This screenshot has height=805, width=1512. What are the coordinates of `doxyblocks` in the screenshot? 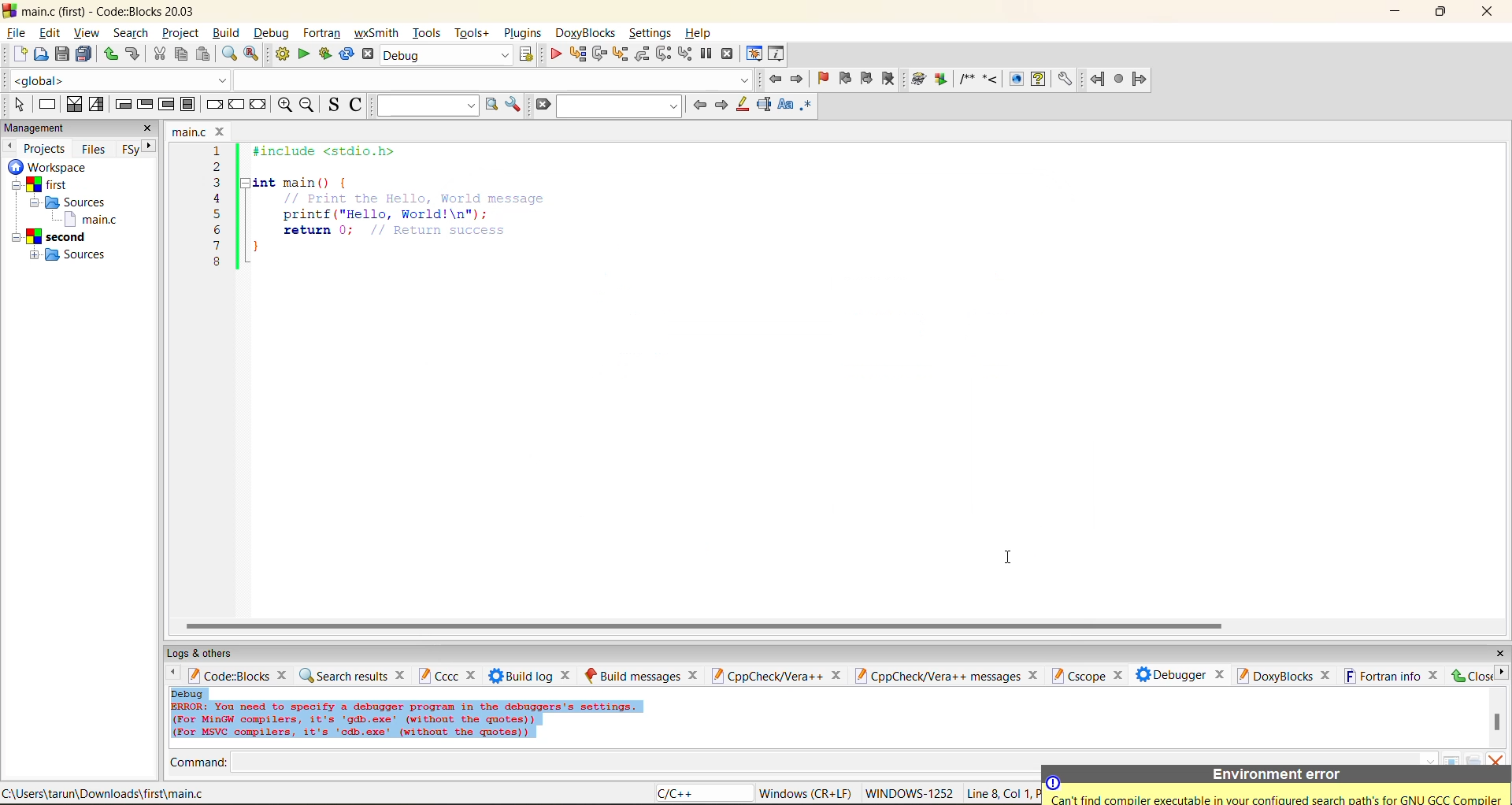 It's located at (588, 33).